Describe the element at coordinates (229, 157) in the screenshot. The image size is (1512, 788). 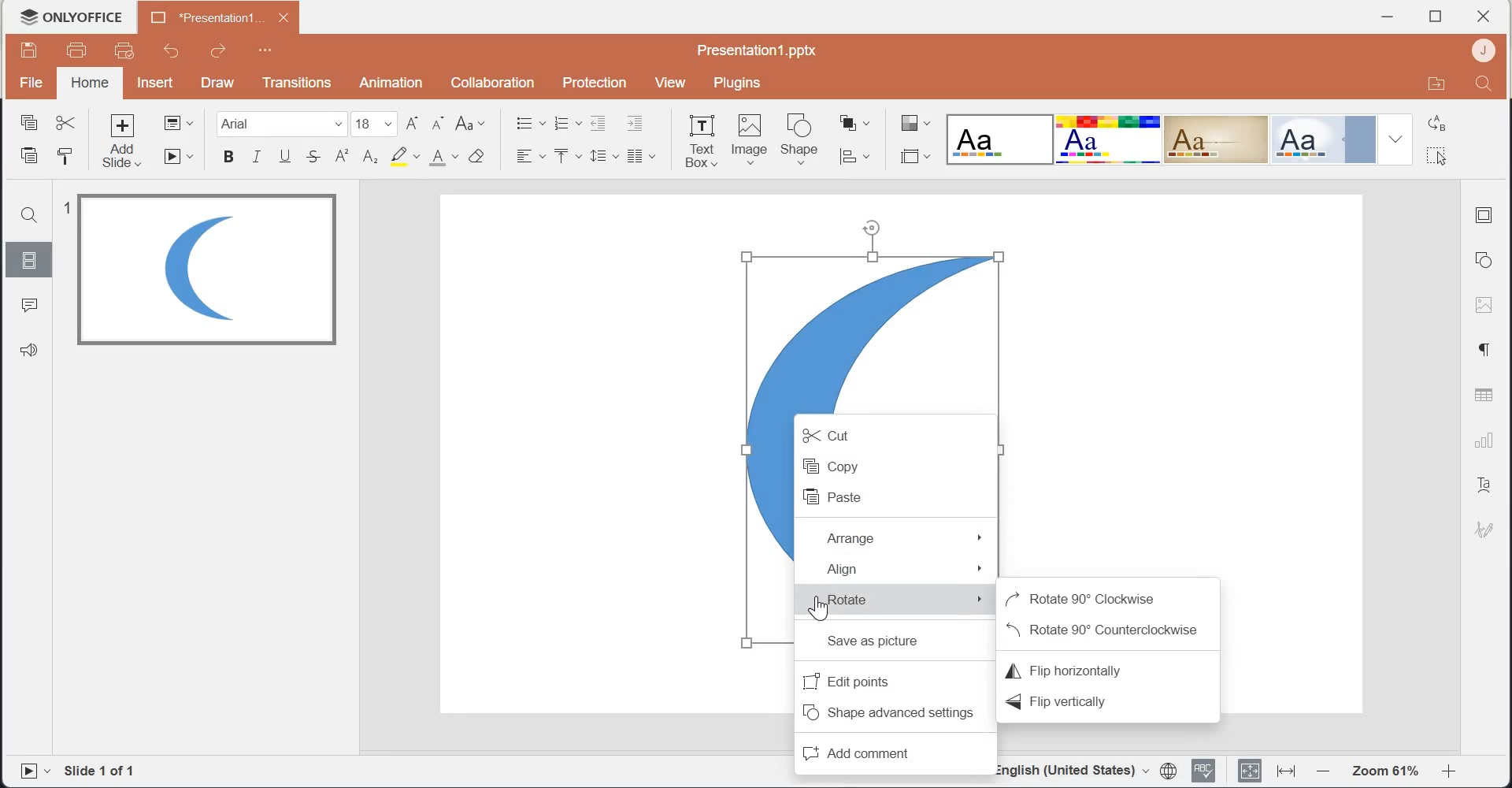
I see `Bold` at that location.